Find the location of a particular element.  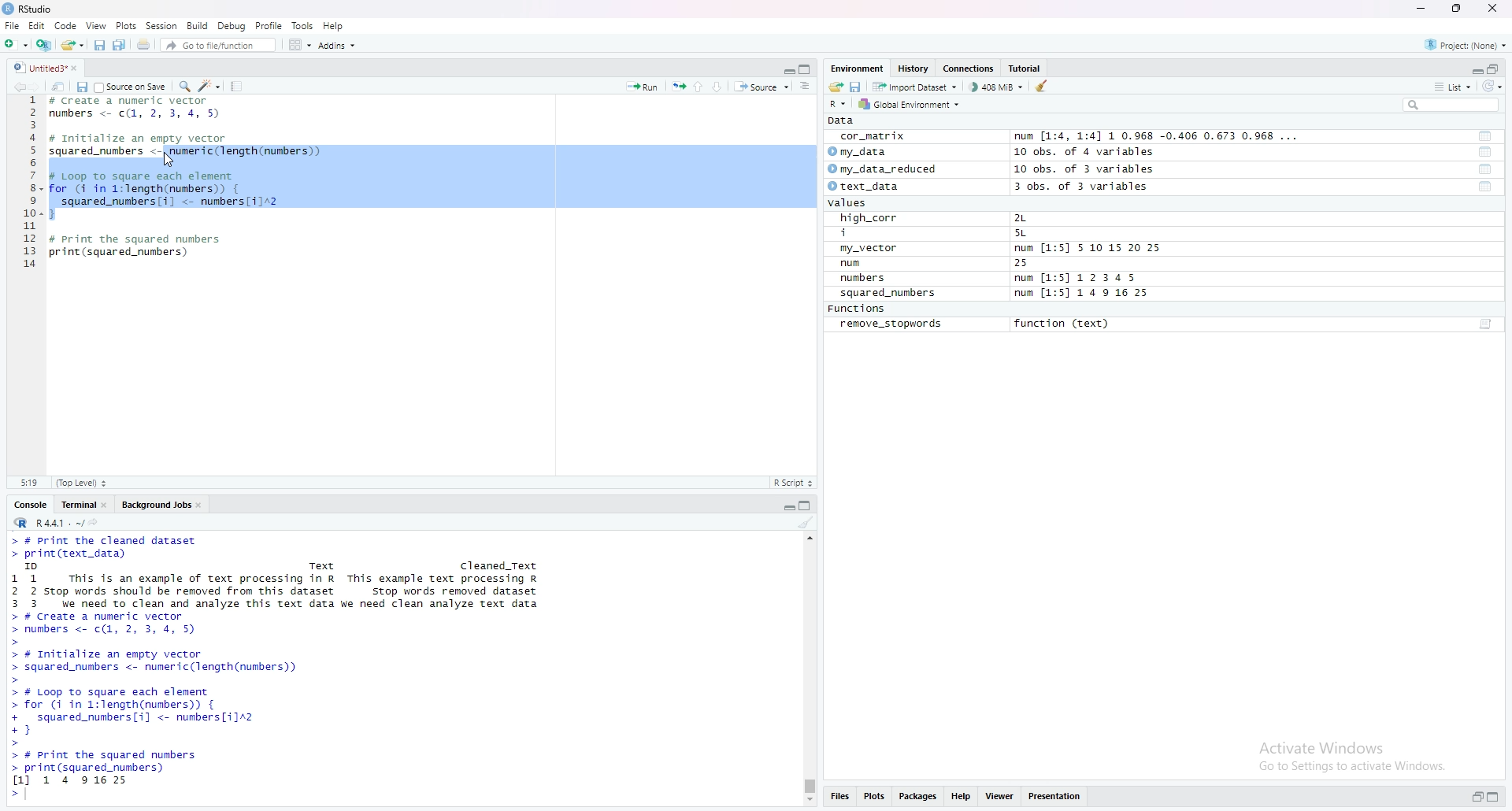

408 MiB is located at coordinates (995, 87).